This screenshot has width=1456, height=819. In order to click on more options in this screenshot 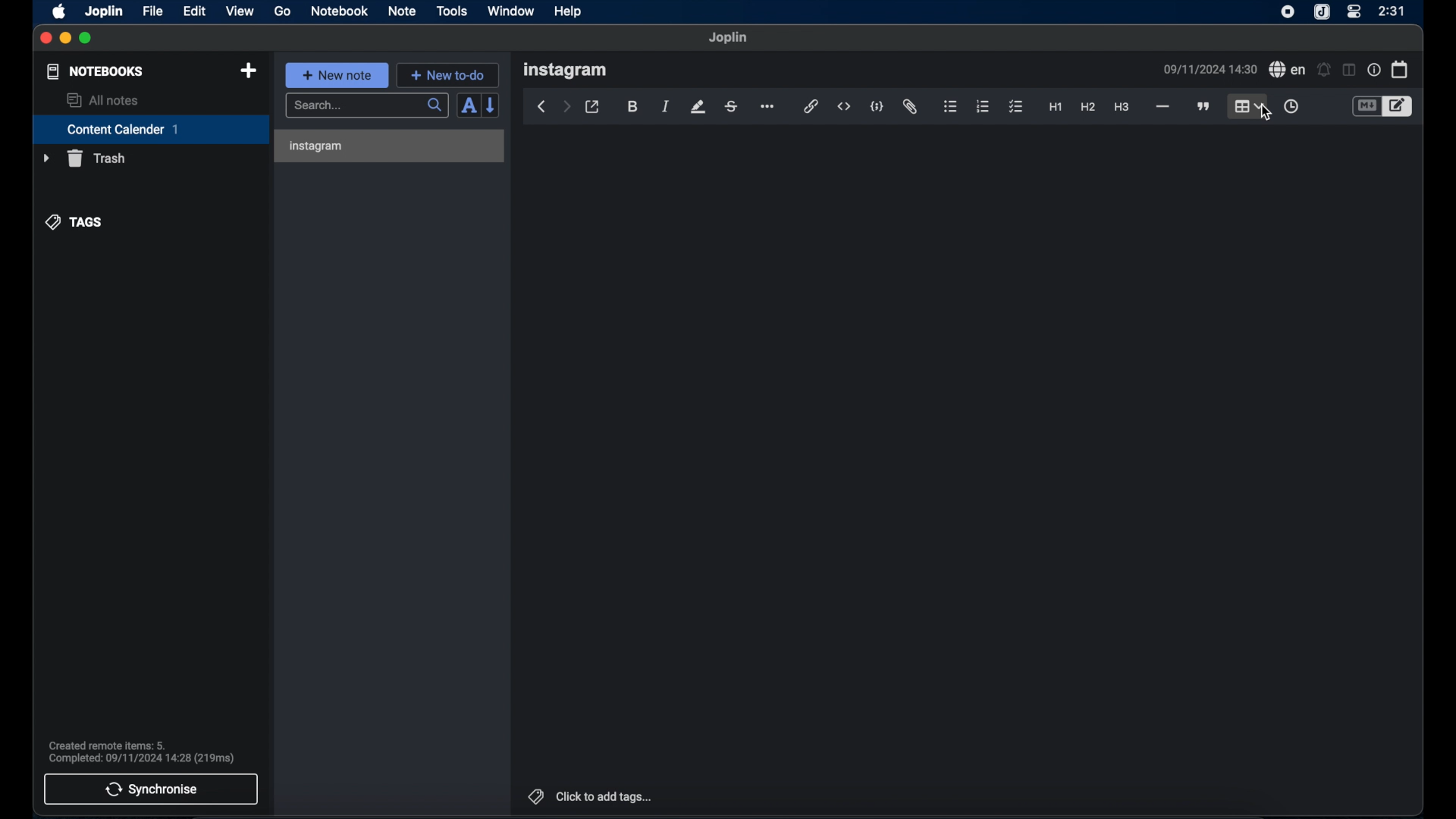, I will do `click(766, 106)`.